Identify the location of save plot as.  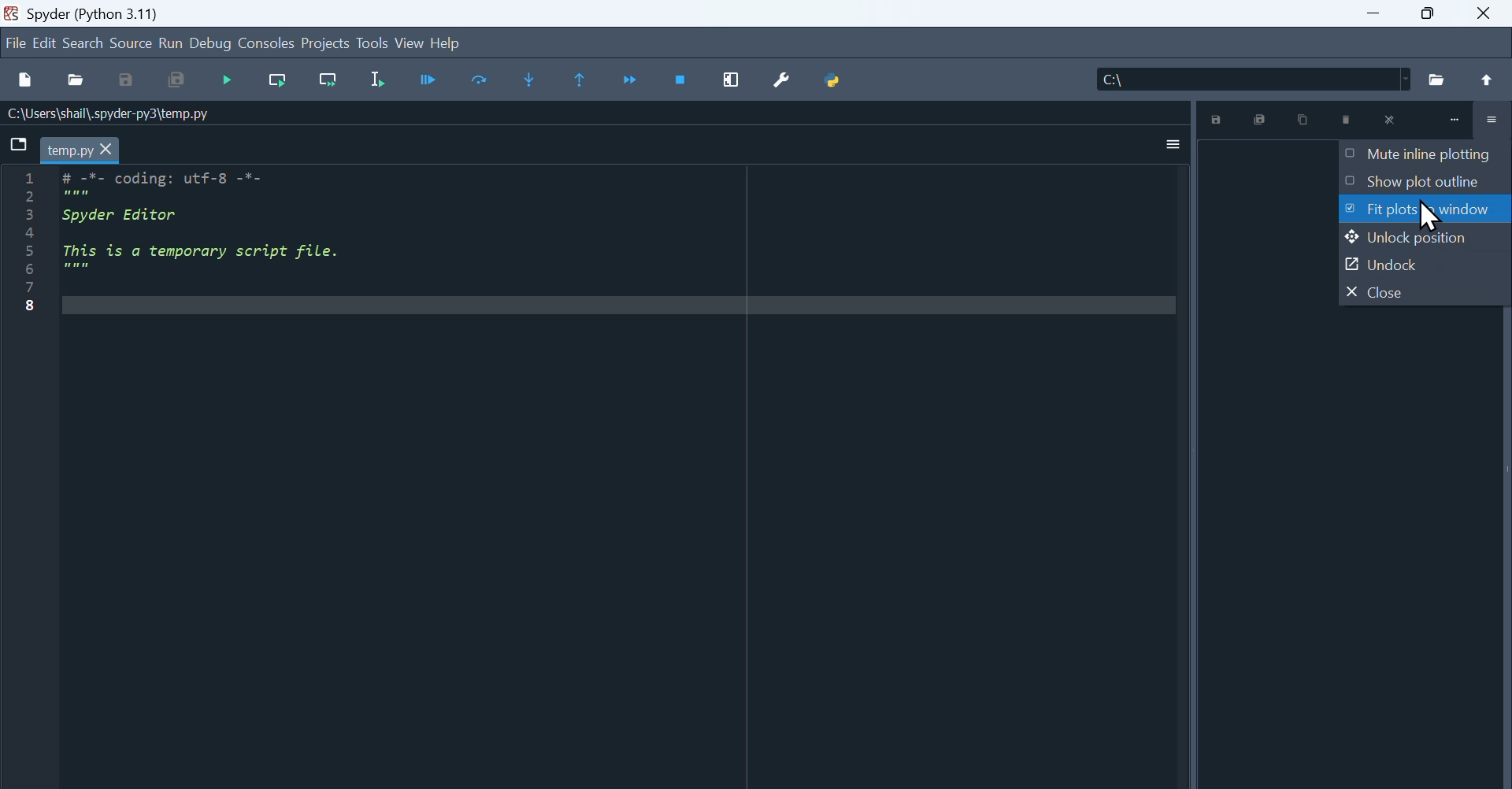
(1215, 119).